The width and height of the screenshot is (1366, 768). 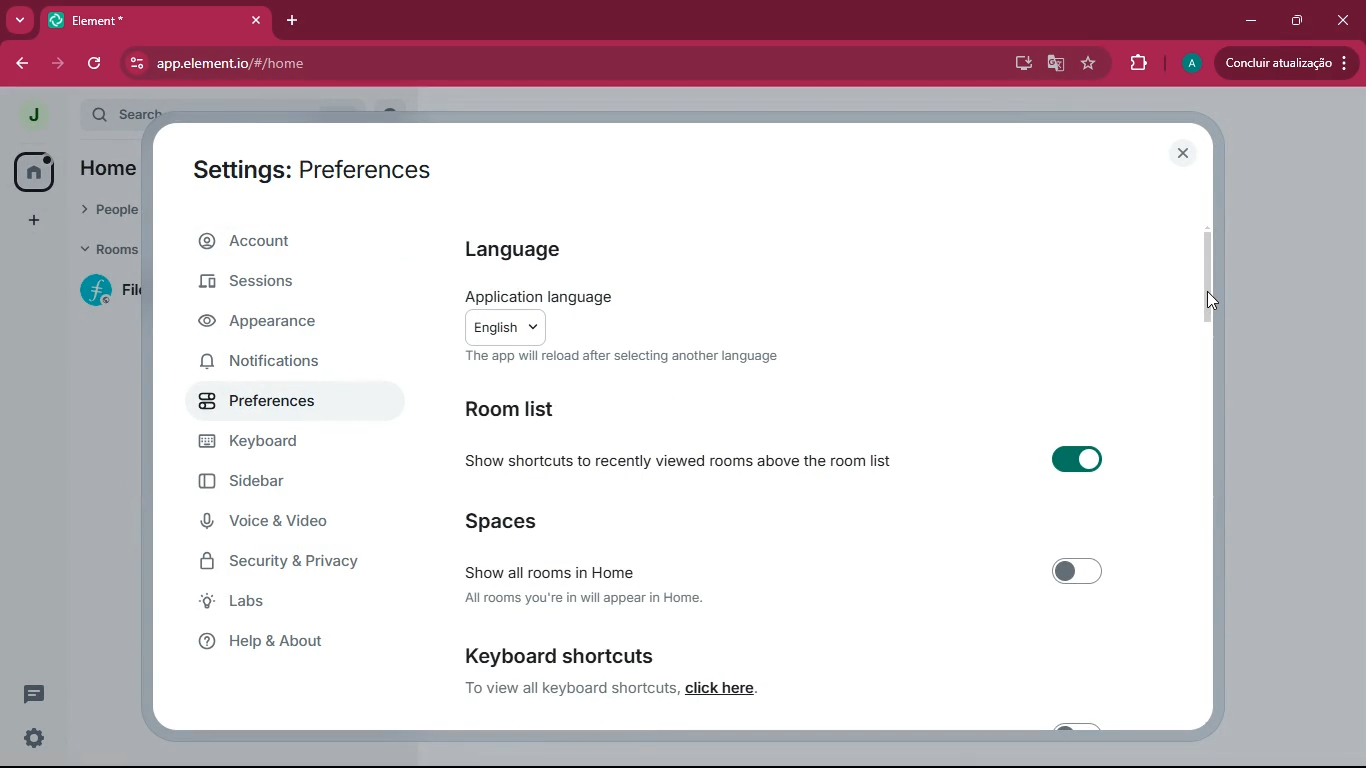 What do you see at coordinates (273, 326) in the screenshot?
I see `appearance` at bounding box center [273, 326].